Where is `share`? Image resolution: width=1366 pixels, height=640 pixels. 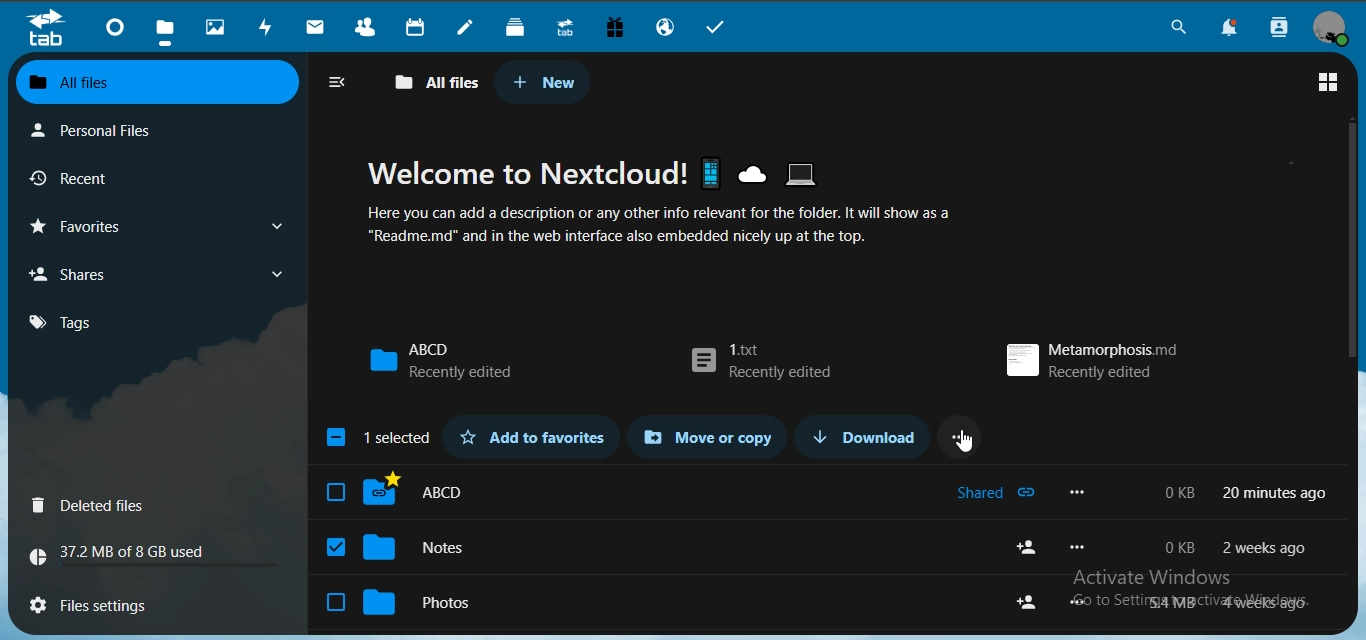
share is located at coordinates (1030, 601).